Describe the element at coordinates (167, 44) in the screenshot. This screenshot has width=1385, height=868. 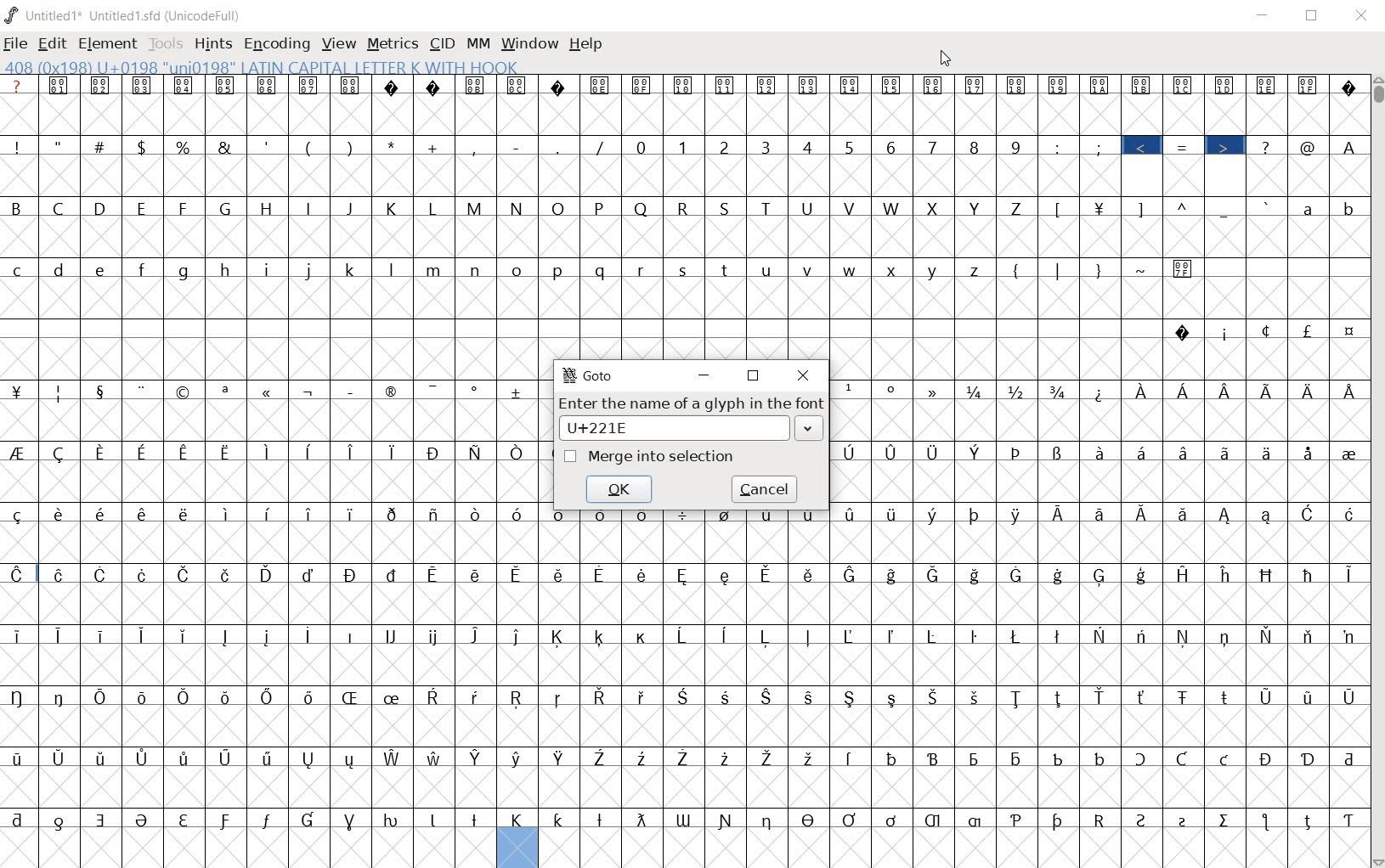
I see `tools` at that location.